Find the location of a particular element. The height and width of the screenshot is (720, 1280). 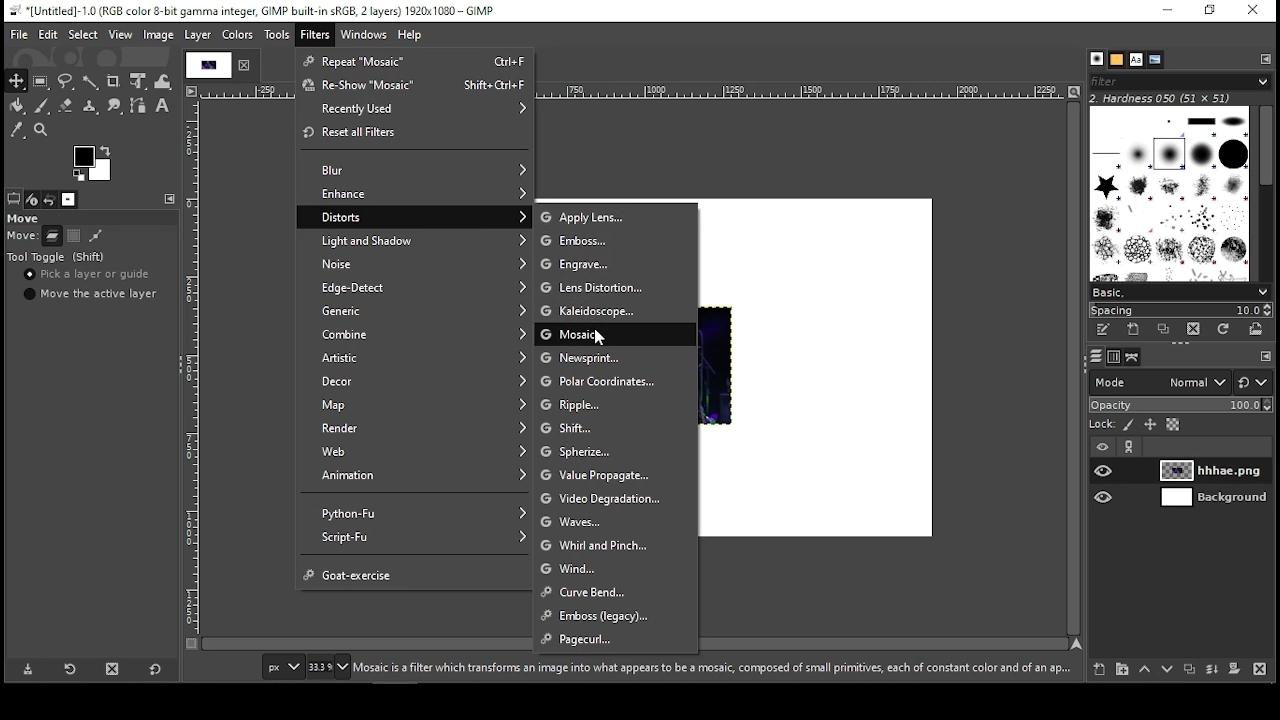

text tool is located at coordinates (164, 109).